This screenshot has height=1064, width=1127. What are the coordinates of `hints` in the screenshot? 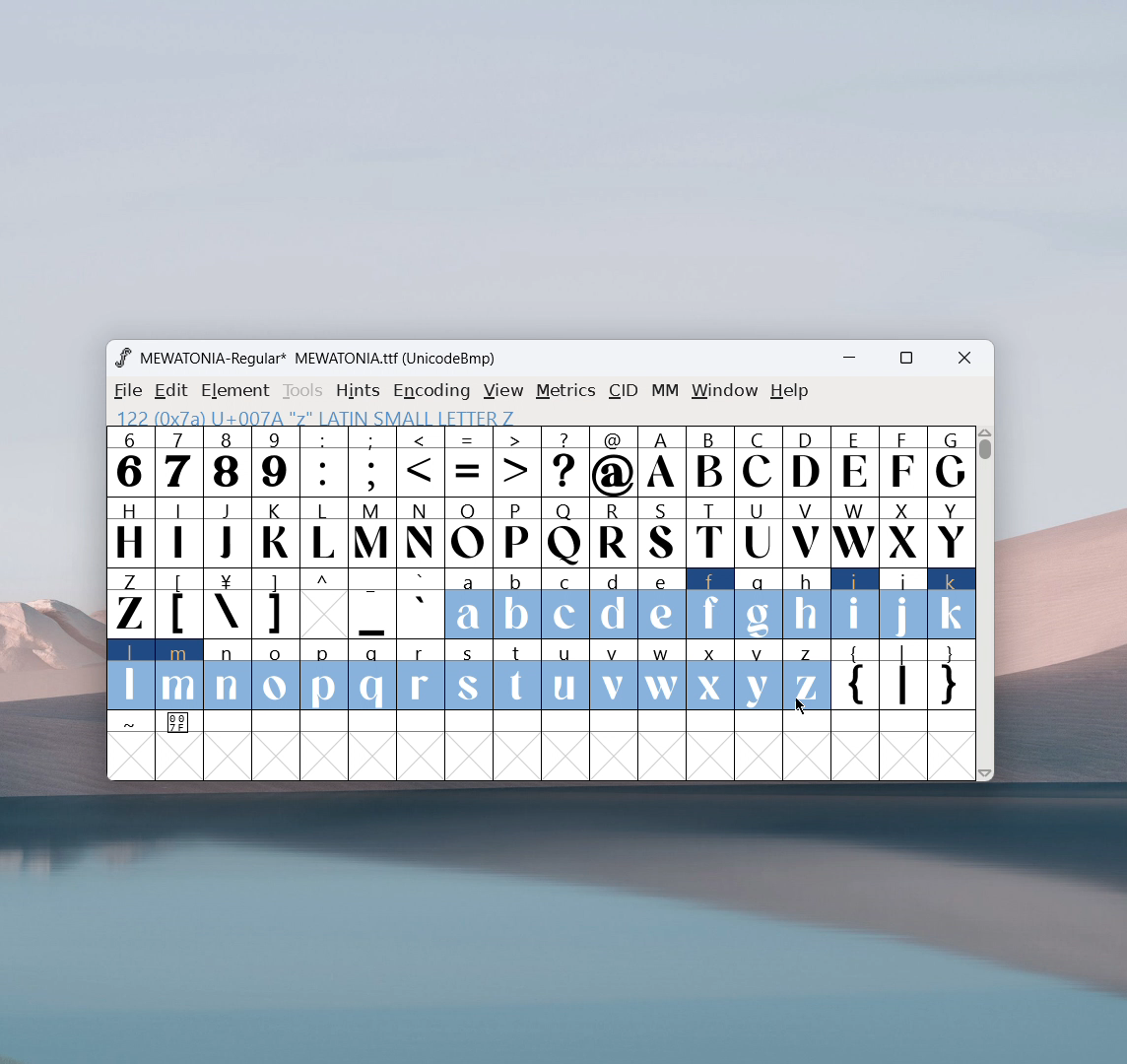 It's located at (360, 390).